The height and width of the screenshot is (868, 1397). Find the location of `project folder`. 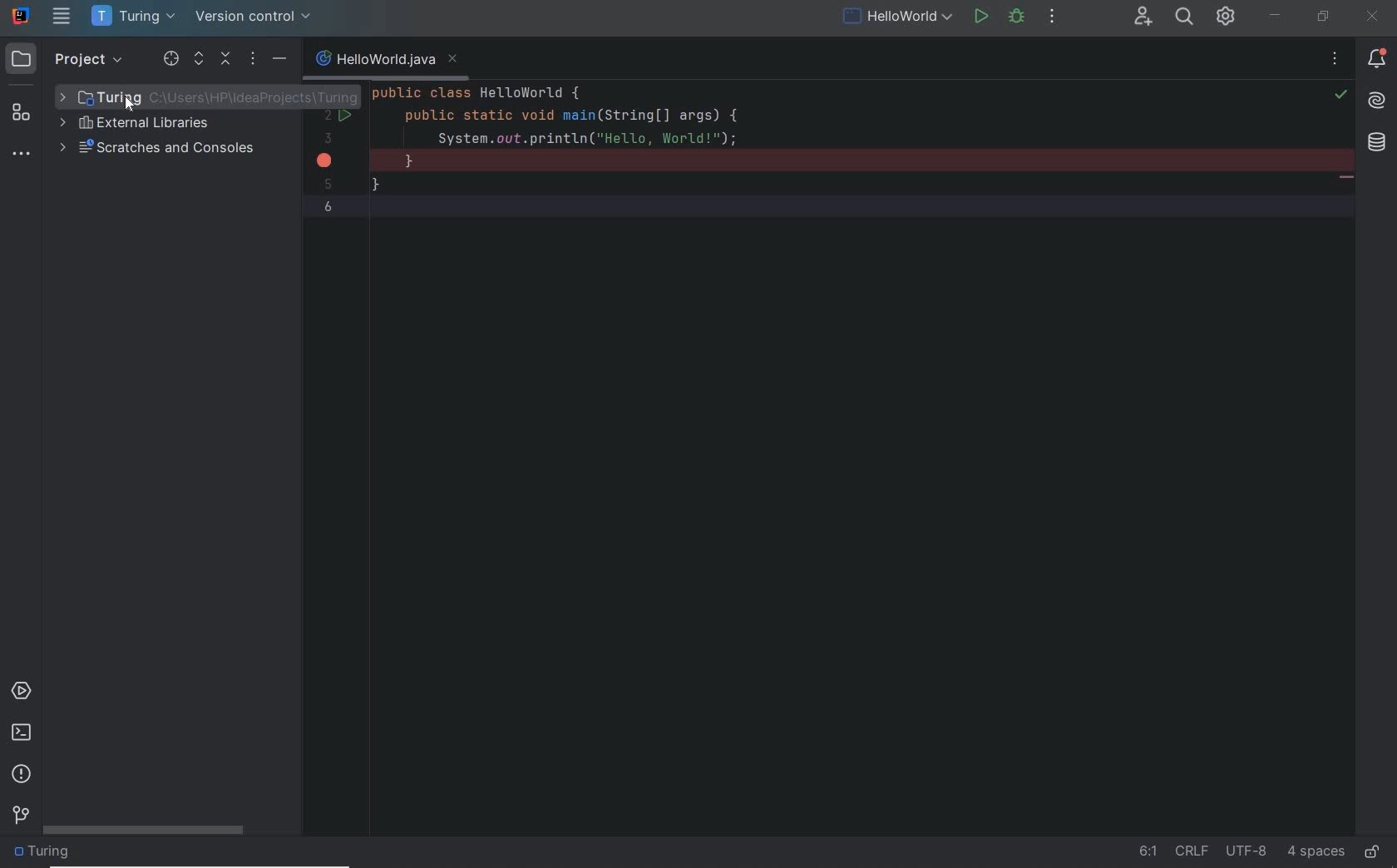

project folder is located at coordinates (208, 96).